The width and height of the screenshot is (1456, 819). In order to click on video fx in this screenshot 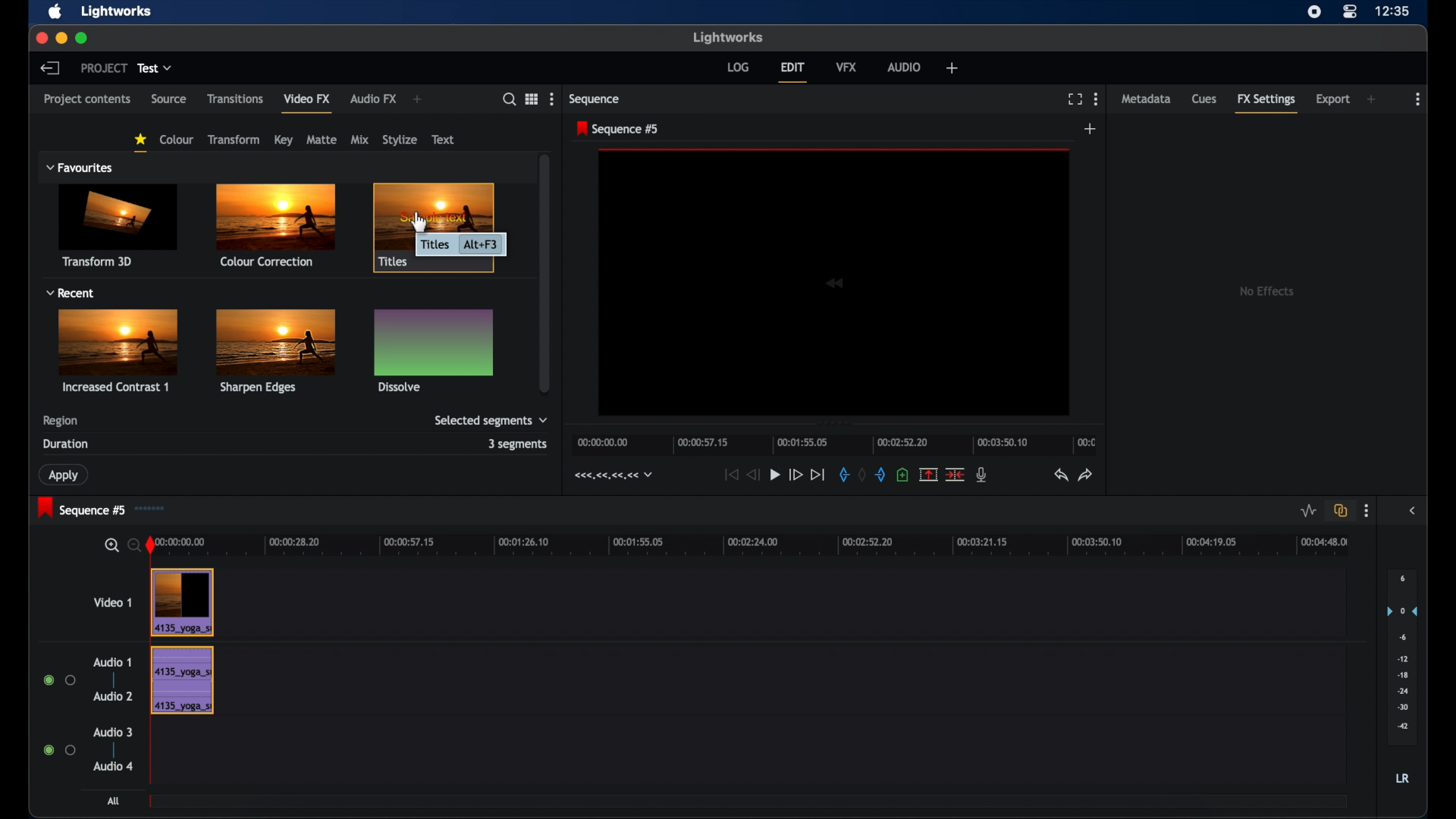, I will do `click(306, 98)`.